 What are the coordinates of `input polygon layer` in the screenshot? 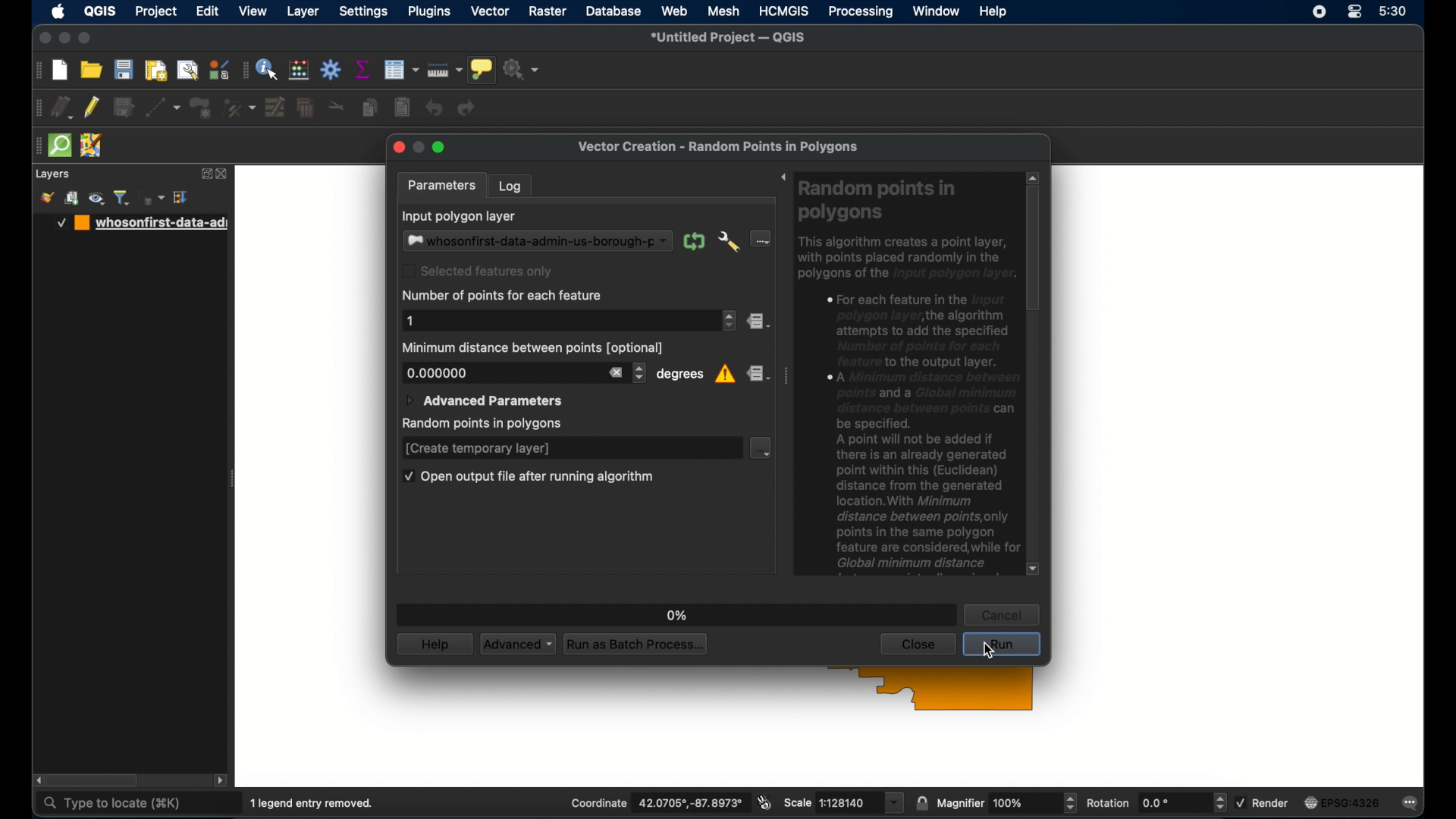 It's located at (459, 216).